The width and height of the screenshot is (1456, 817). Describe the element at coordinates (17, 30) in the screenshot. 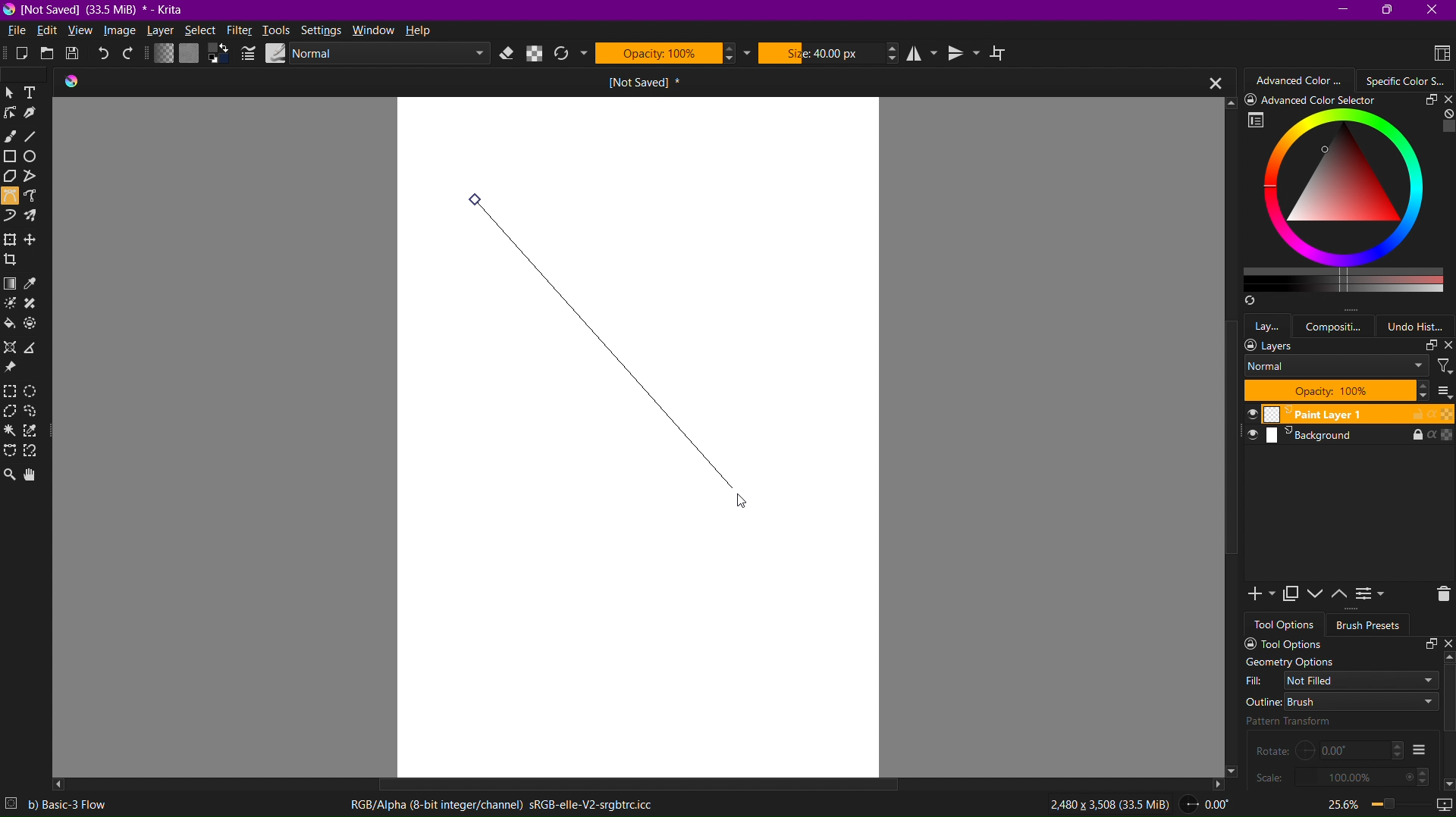

I see `File` at that location.